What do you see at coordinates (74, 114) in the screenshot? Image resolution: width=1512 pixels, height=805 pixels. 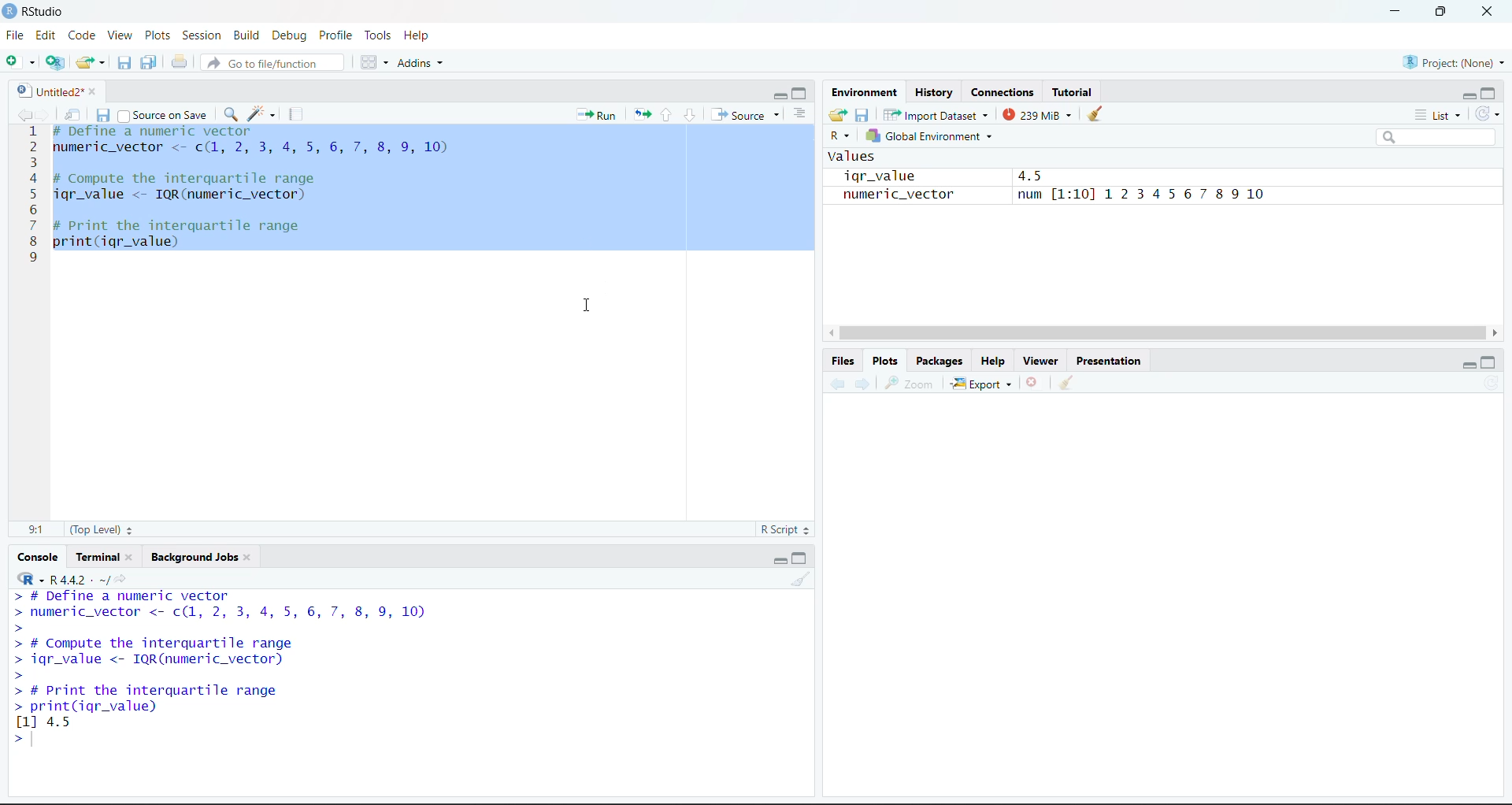 I see `Show in new window` at bounding box center [74, 114].